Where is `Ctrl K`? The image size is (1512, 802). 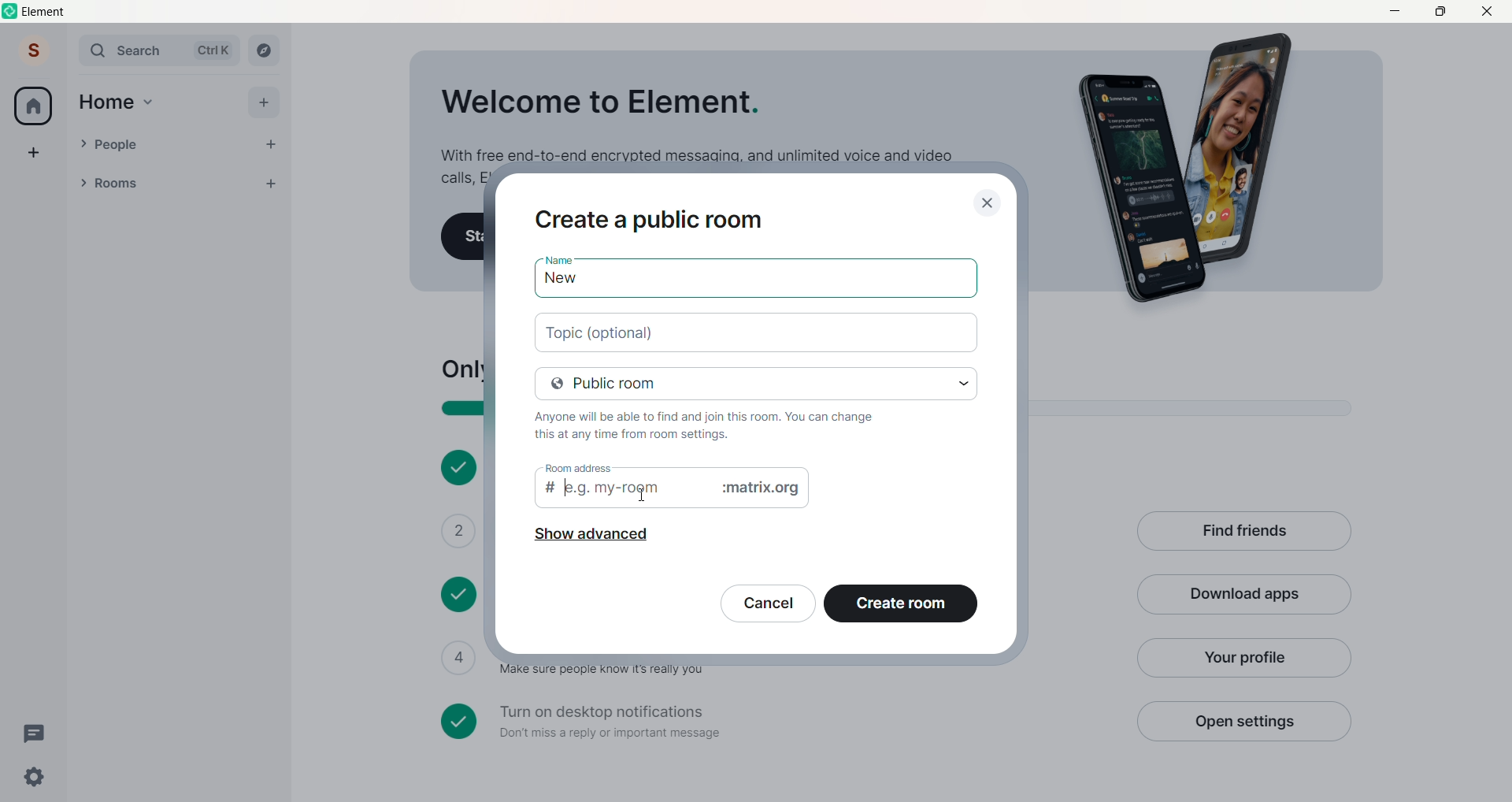
Ctrl K is located at coordinates (213, 50).